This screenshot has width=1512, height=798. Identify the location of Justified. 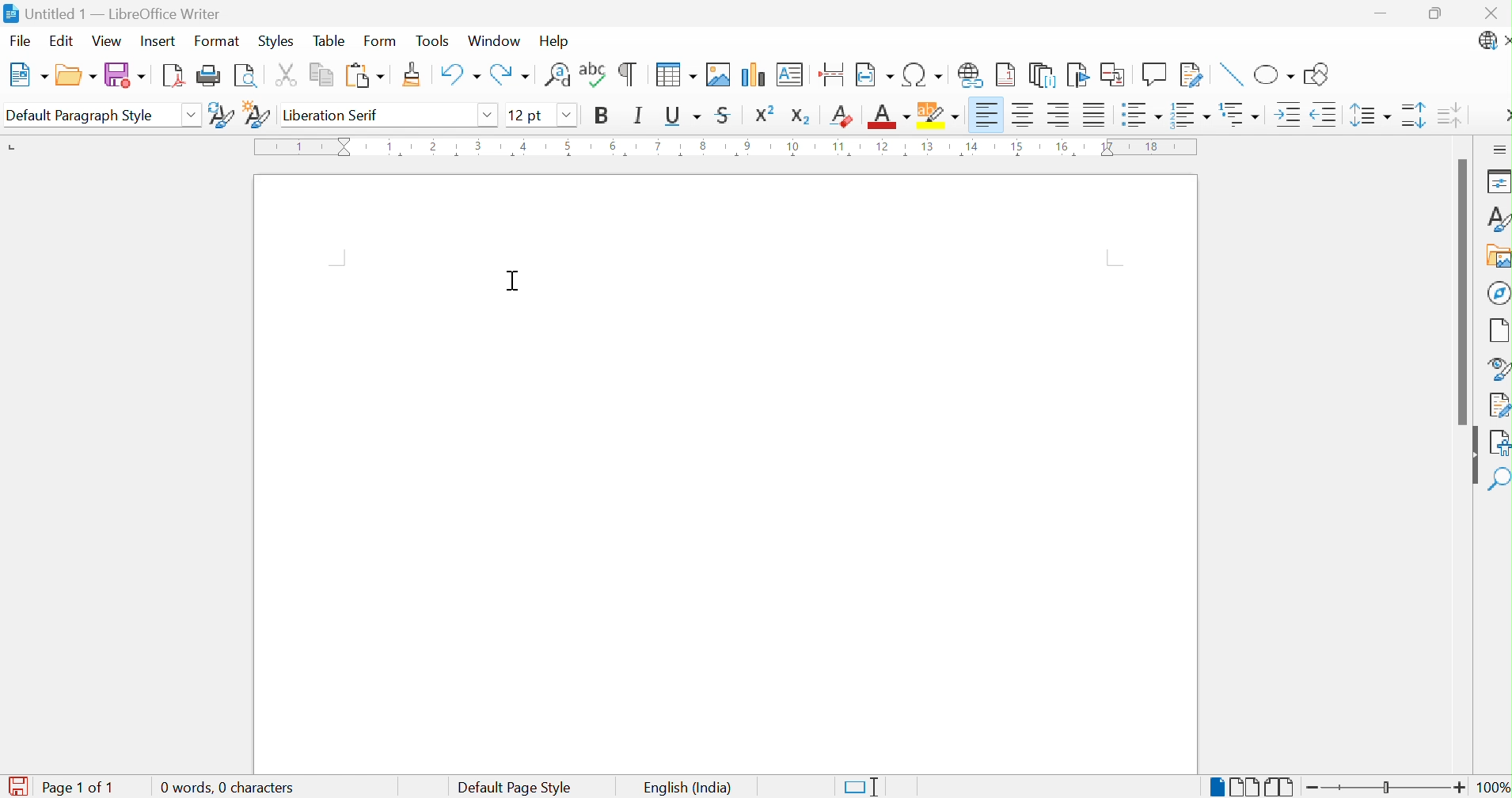
(1096, 114).